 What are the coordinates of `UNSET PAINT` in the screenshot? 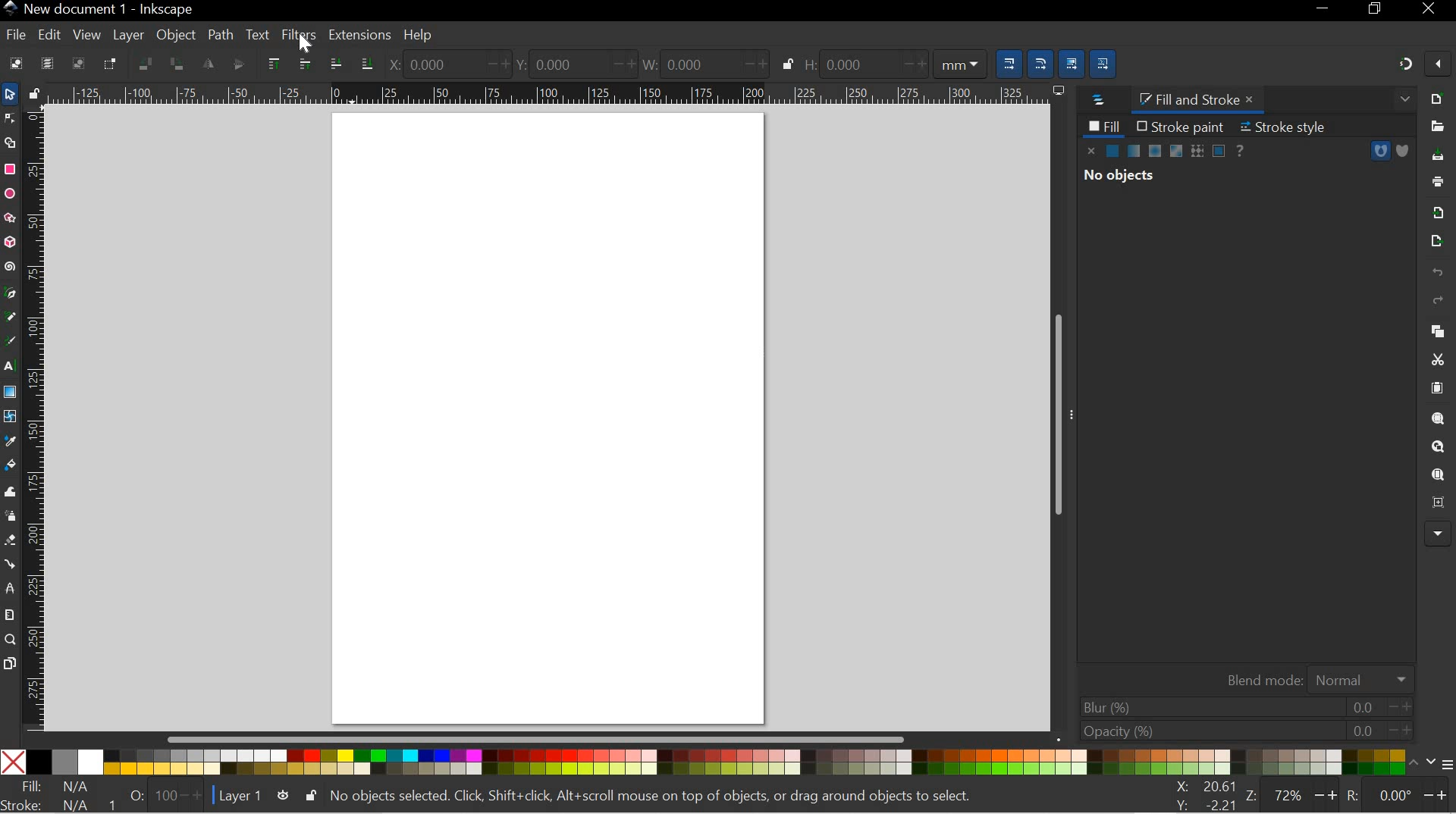 It's located at (1242, 149).